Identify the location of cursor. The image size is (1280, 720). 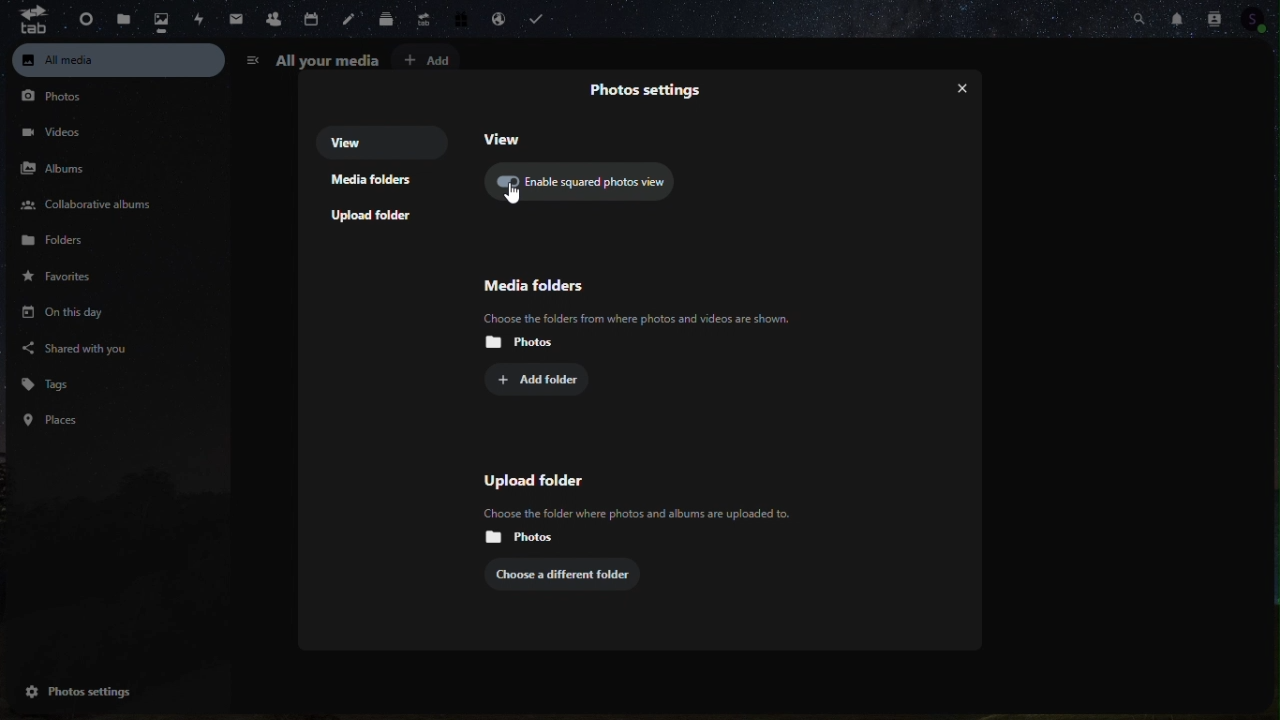
(519, 193).